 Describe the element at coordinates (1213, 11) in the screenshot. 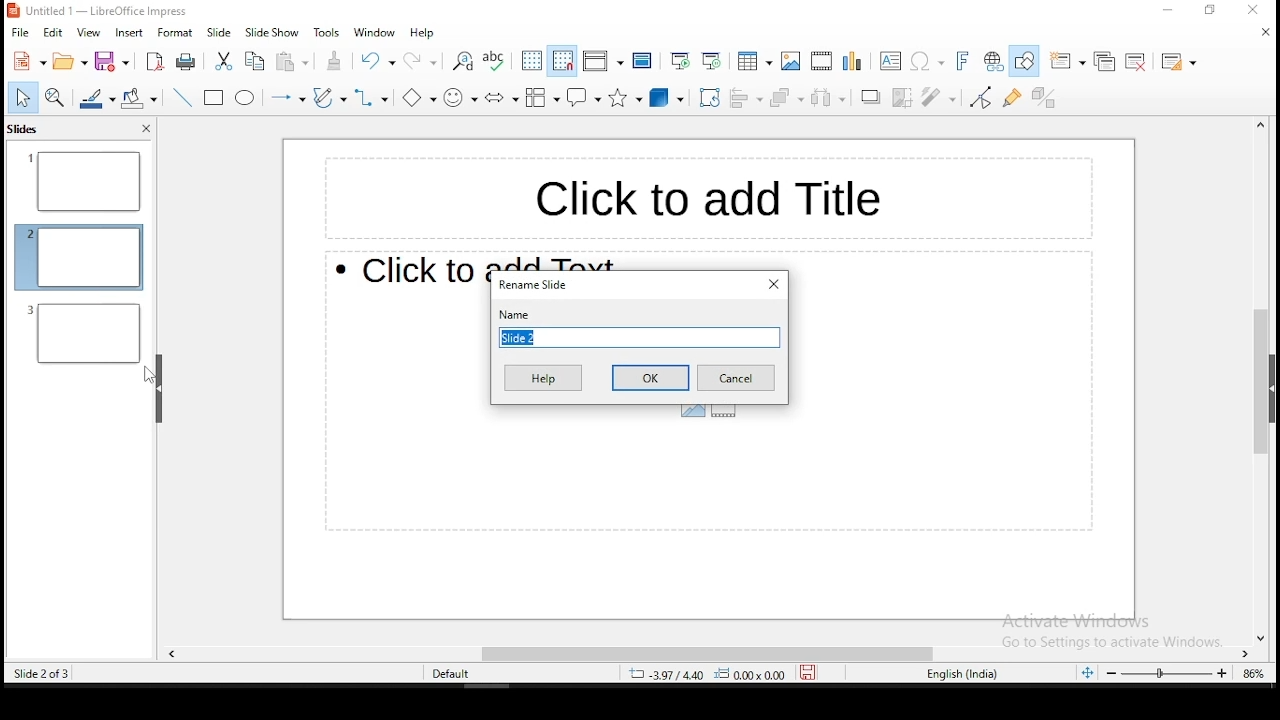

I see `restore` at that location.